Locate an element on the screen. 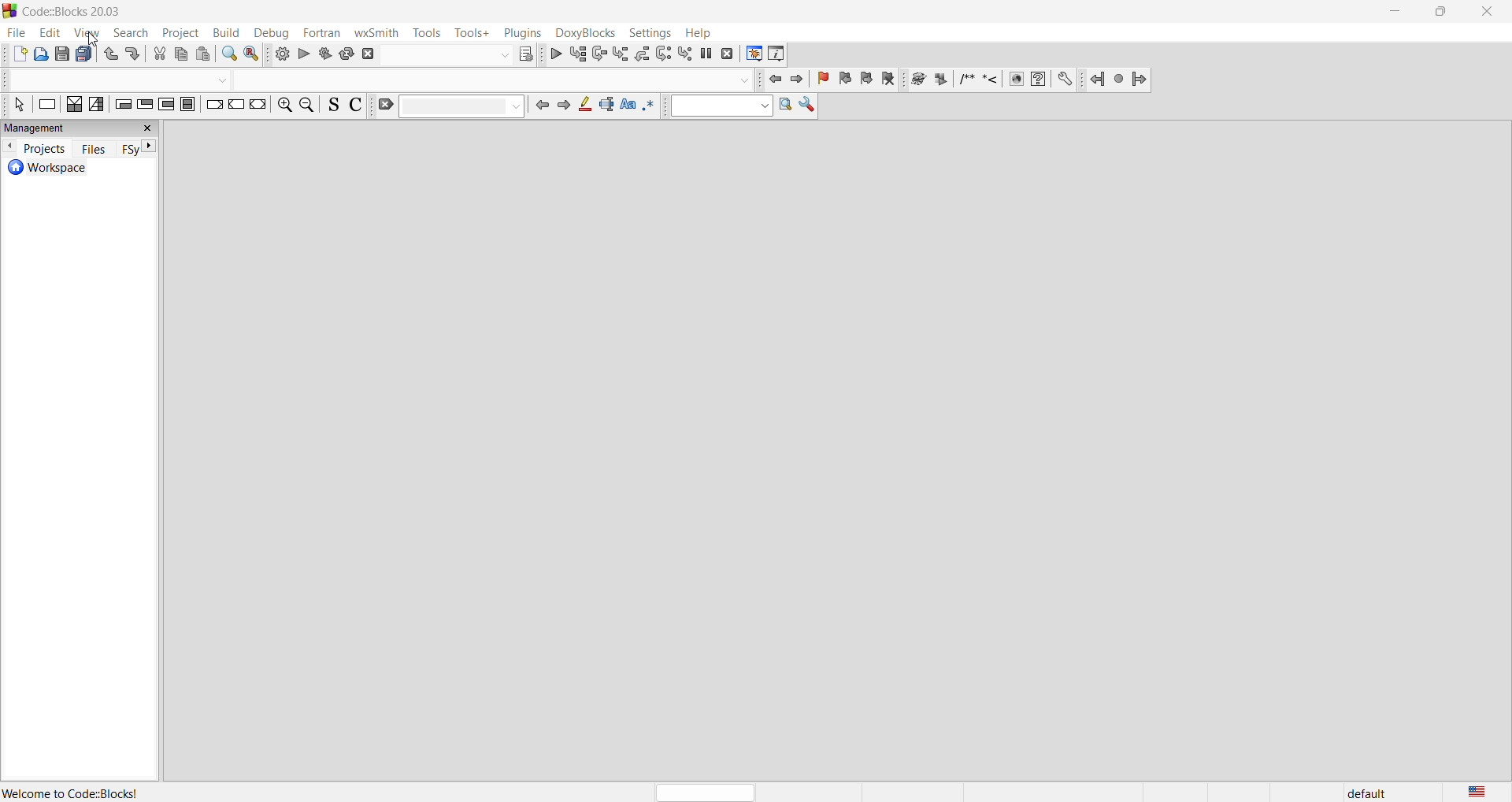 The image size is (1512, 802). project is located at coordinates (181, 33).